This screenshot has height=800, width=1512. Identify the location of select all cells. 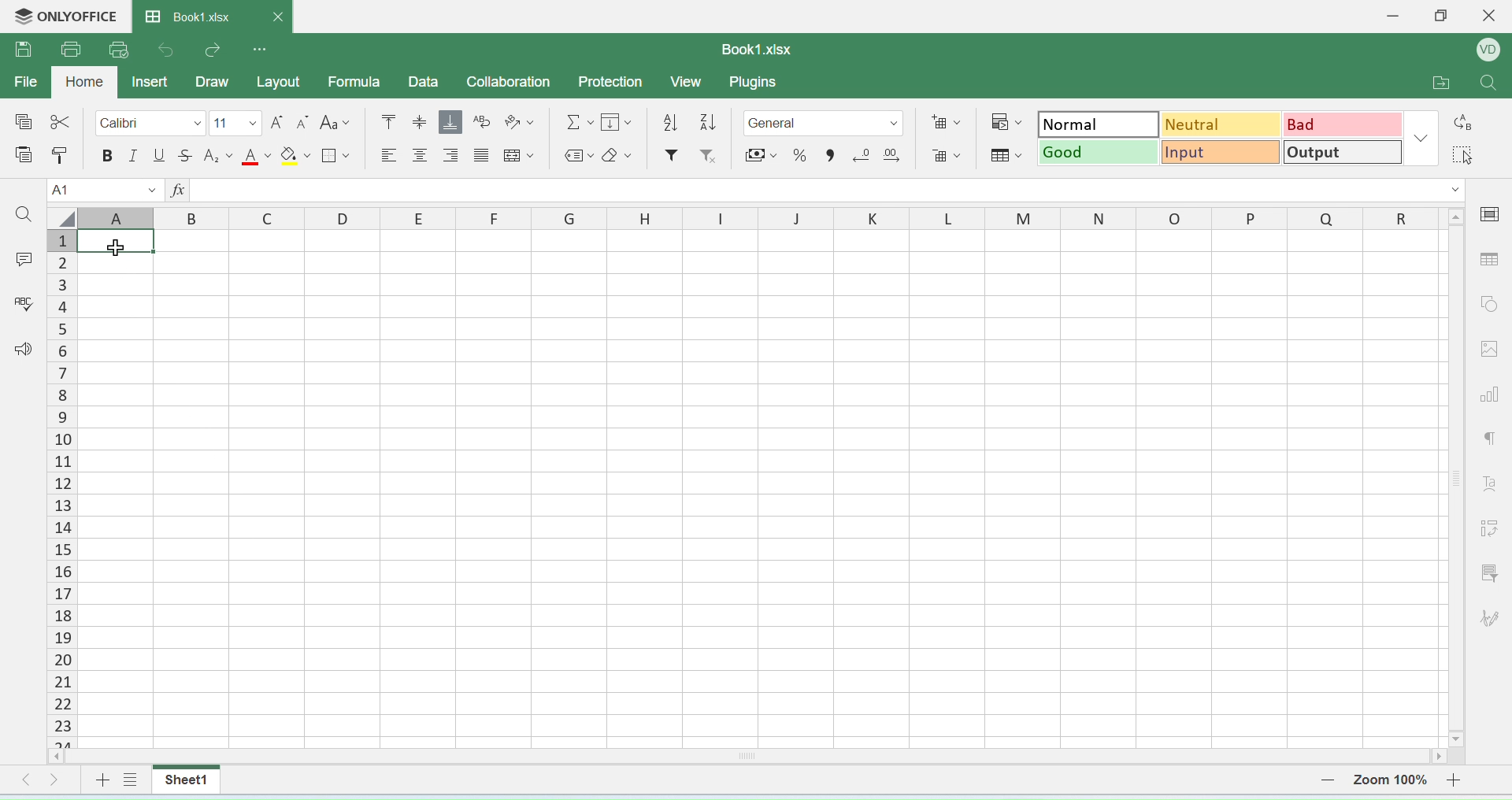
(61, 217).